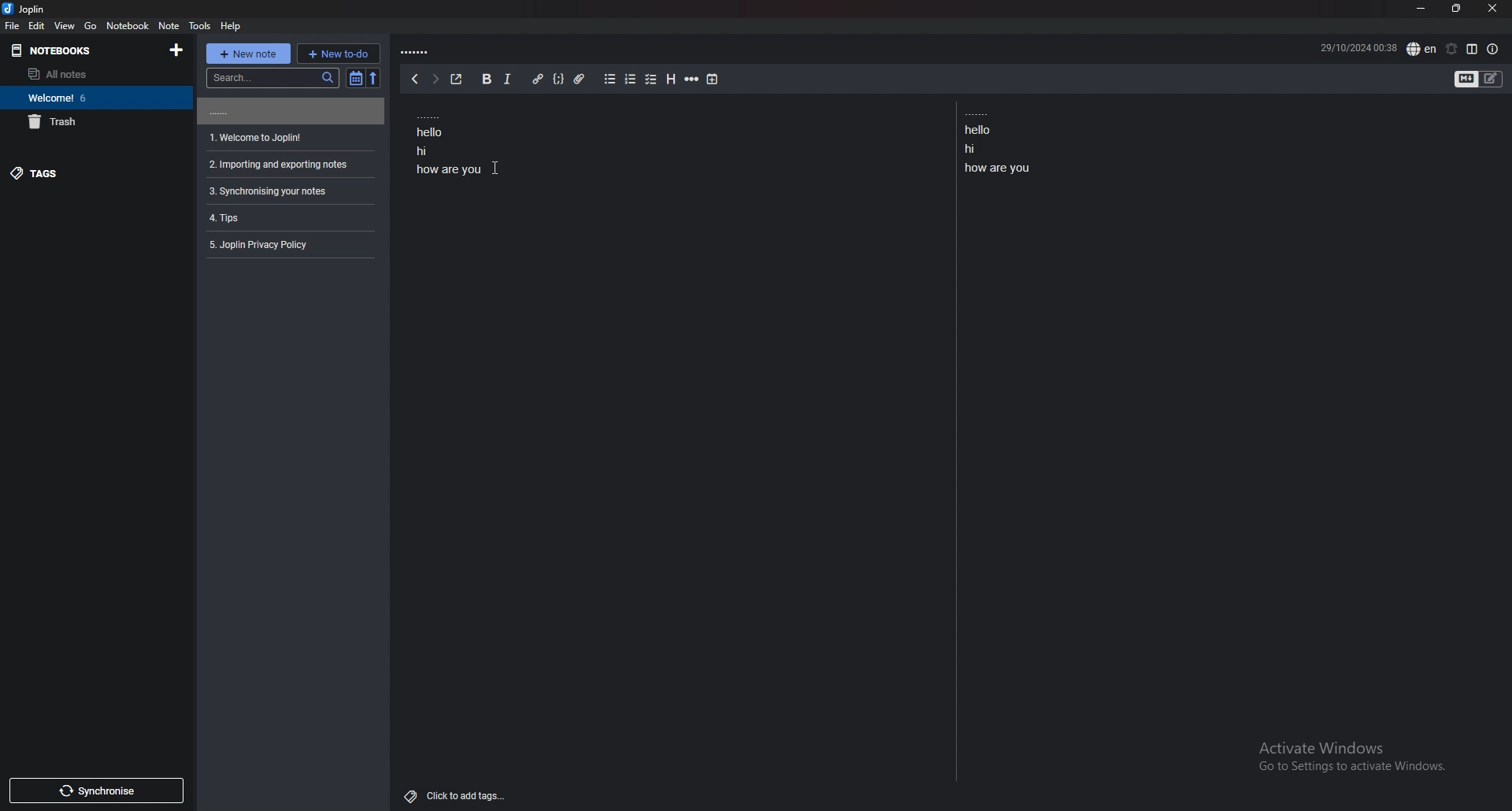  Describe the element at coordinates (288, 111) in the screenshot. I see `note` at that location.